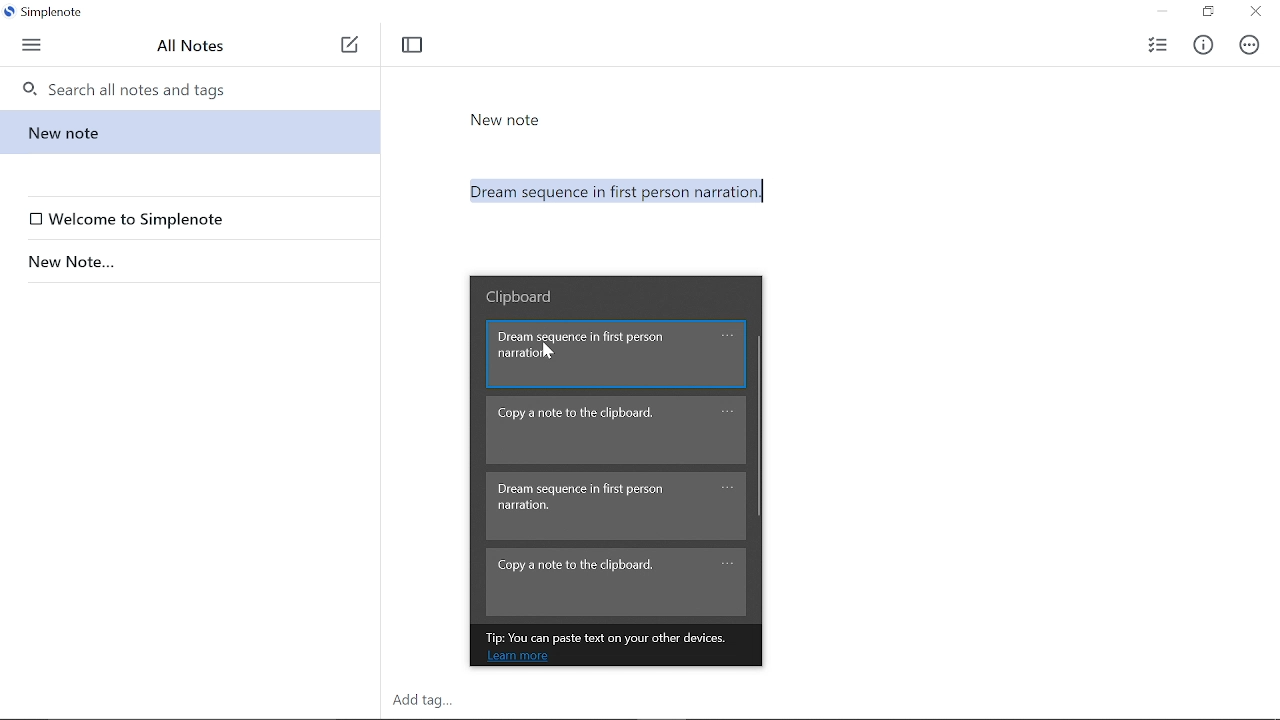 Image resolution: width=1280 pixels, height=720 pixels. What do you see at coordinates (1208, 42) in the screenshot?
I see `Info` at bounding box center [1208, 42].